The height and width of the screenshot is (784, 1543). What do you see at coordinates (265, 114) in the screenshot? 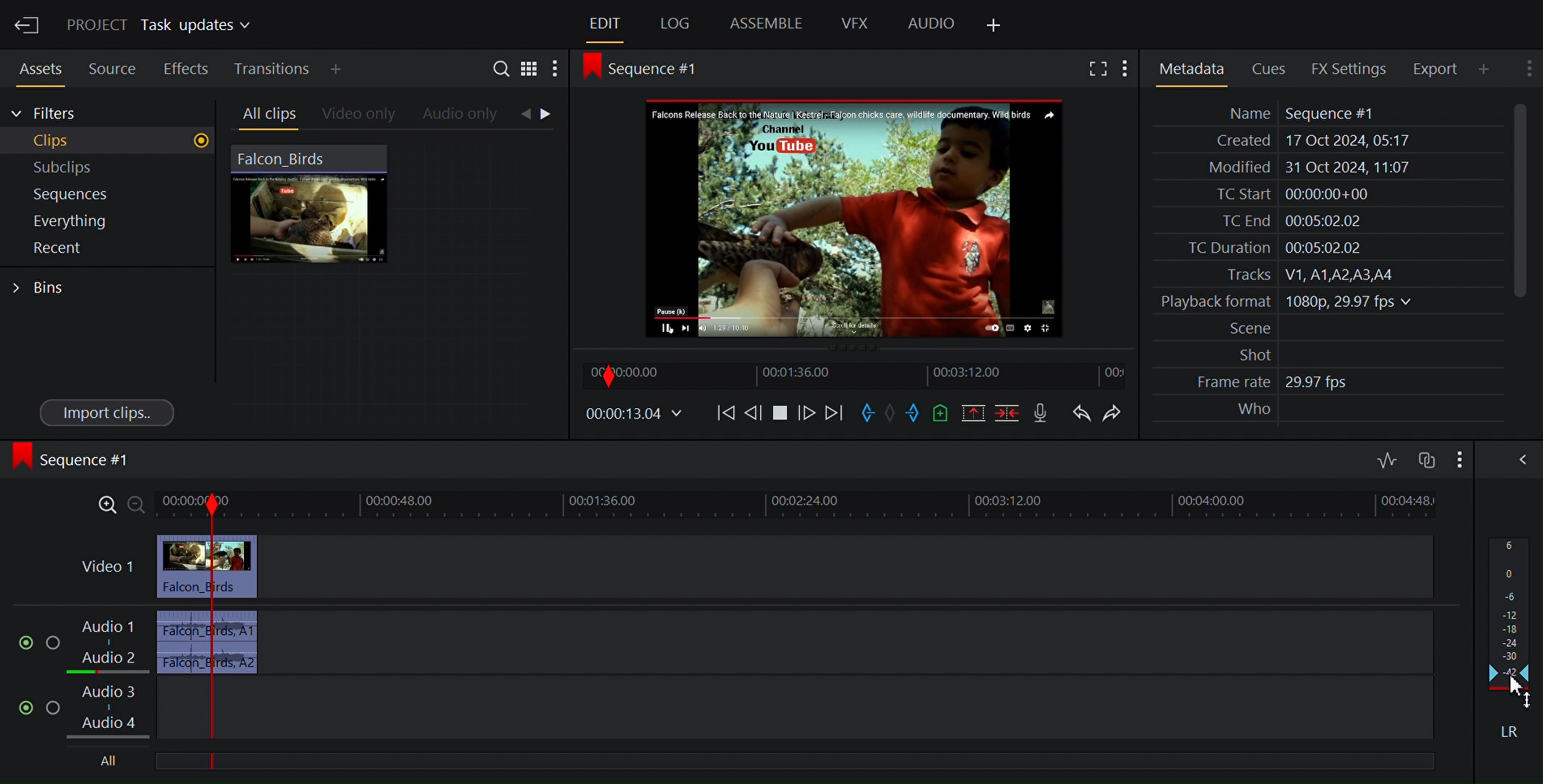
I see `All clips` at bounding box center [265, 114].